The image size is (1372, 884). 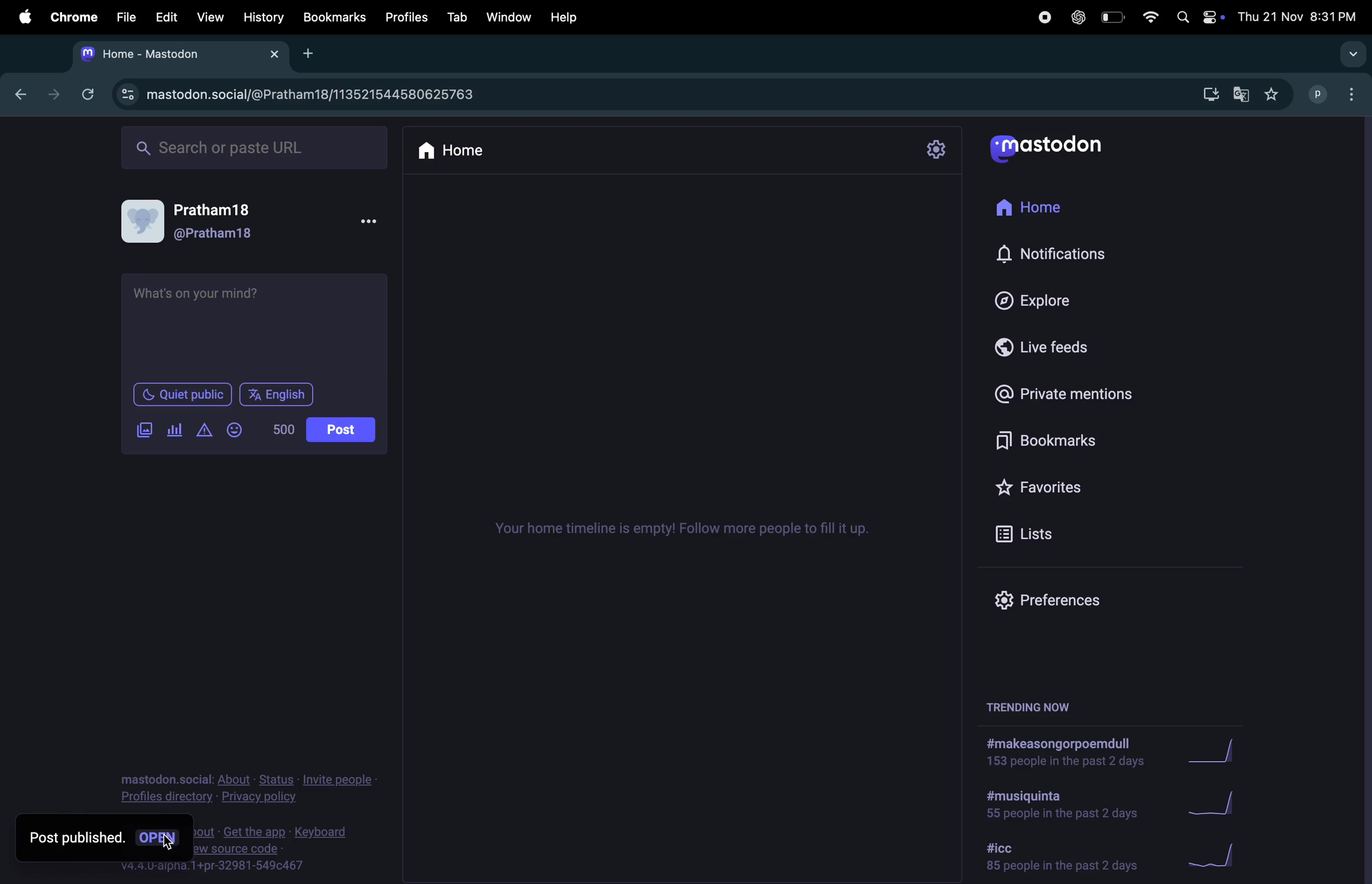 I want to click on chrome, so click(x=74, y=15).